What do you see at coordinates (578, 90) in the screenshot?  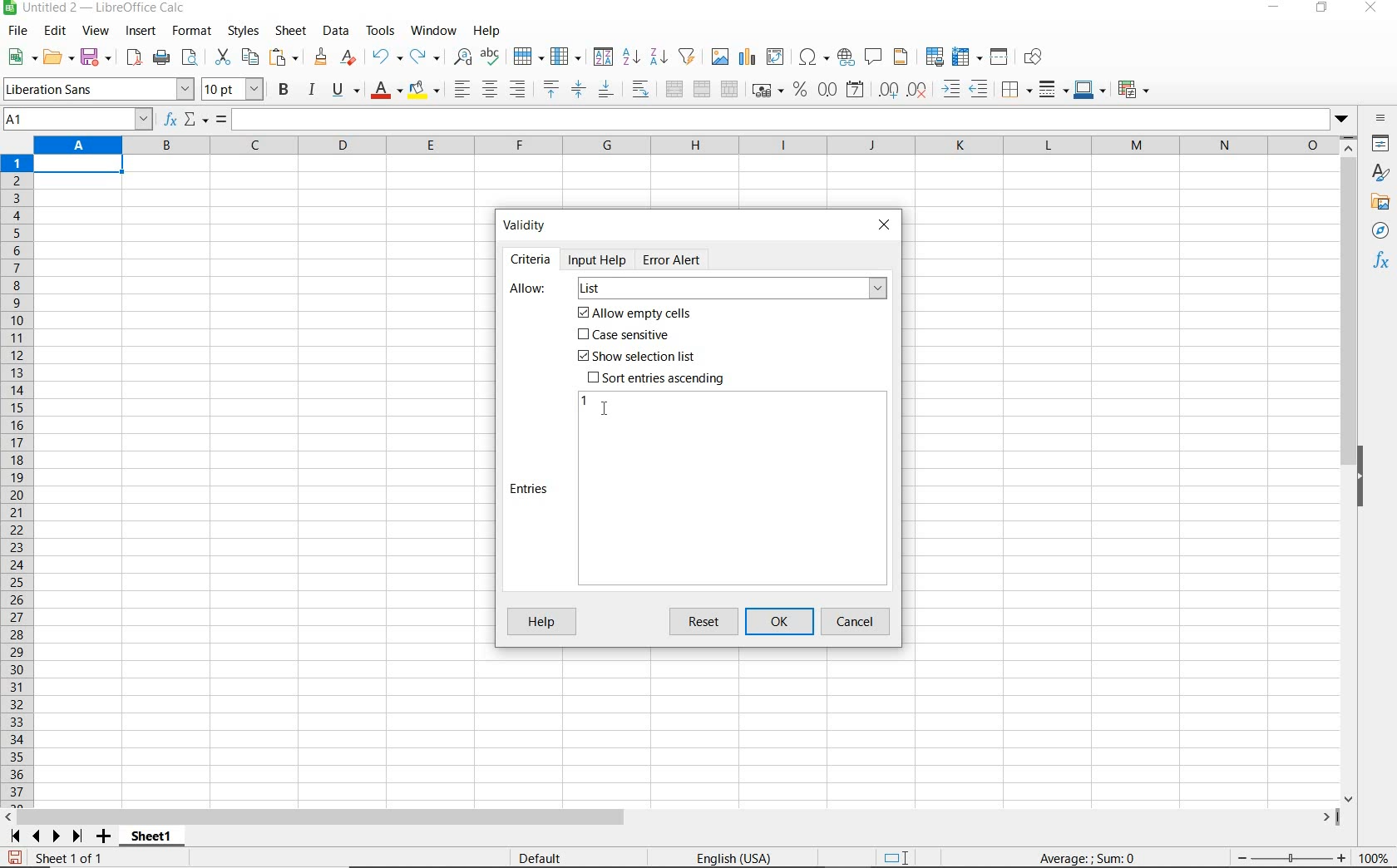 I see `center vertically` at bounding box center [578, 90].